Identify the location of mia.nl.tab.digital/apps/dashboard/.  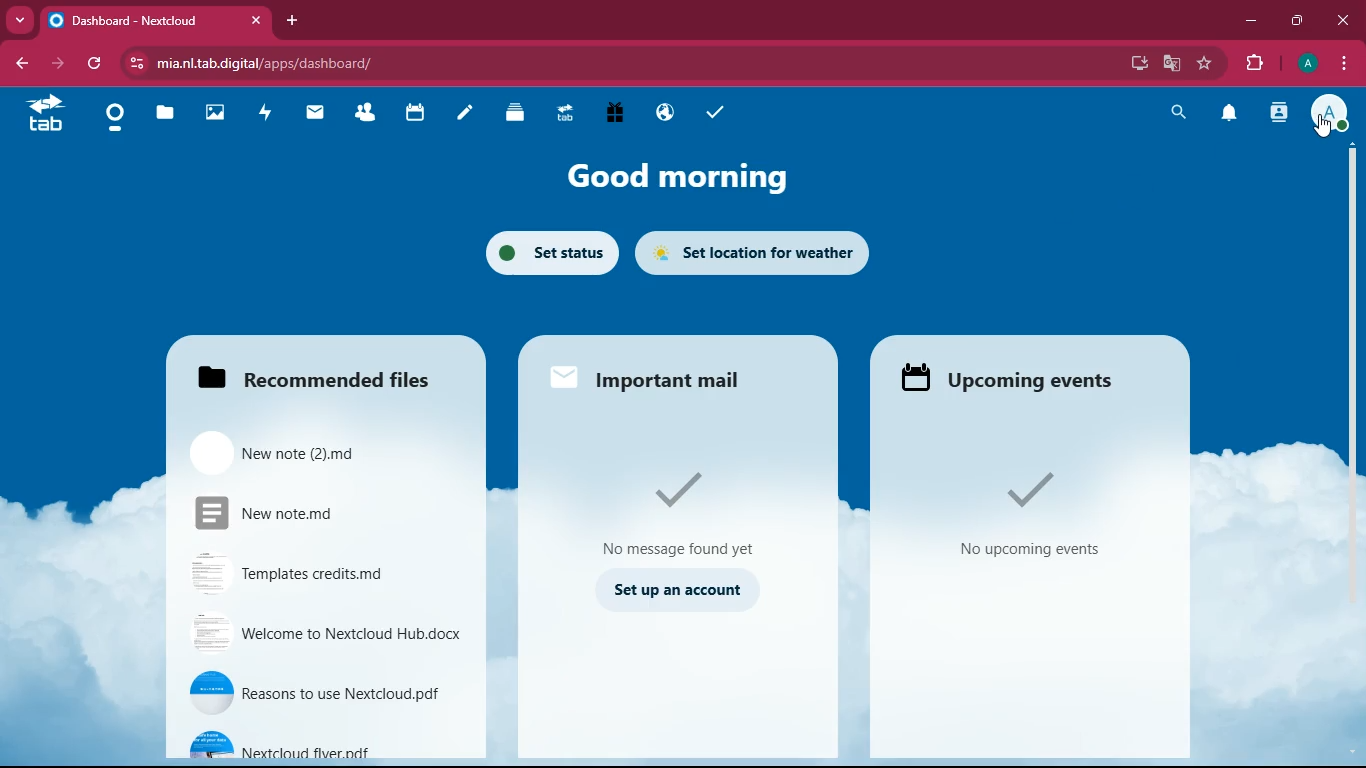
(271, 65).